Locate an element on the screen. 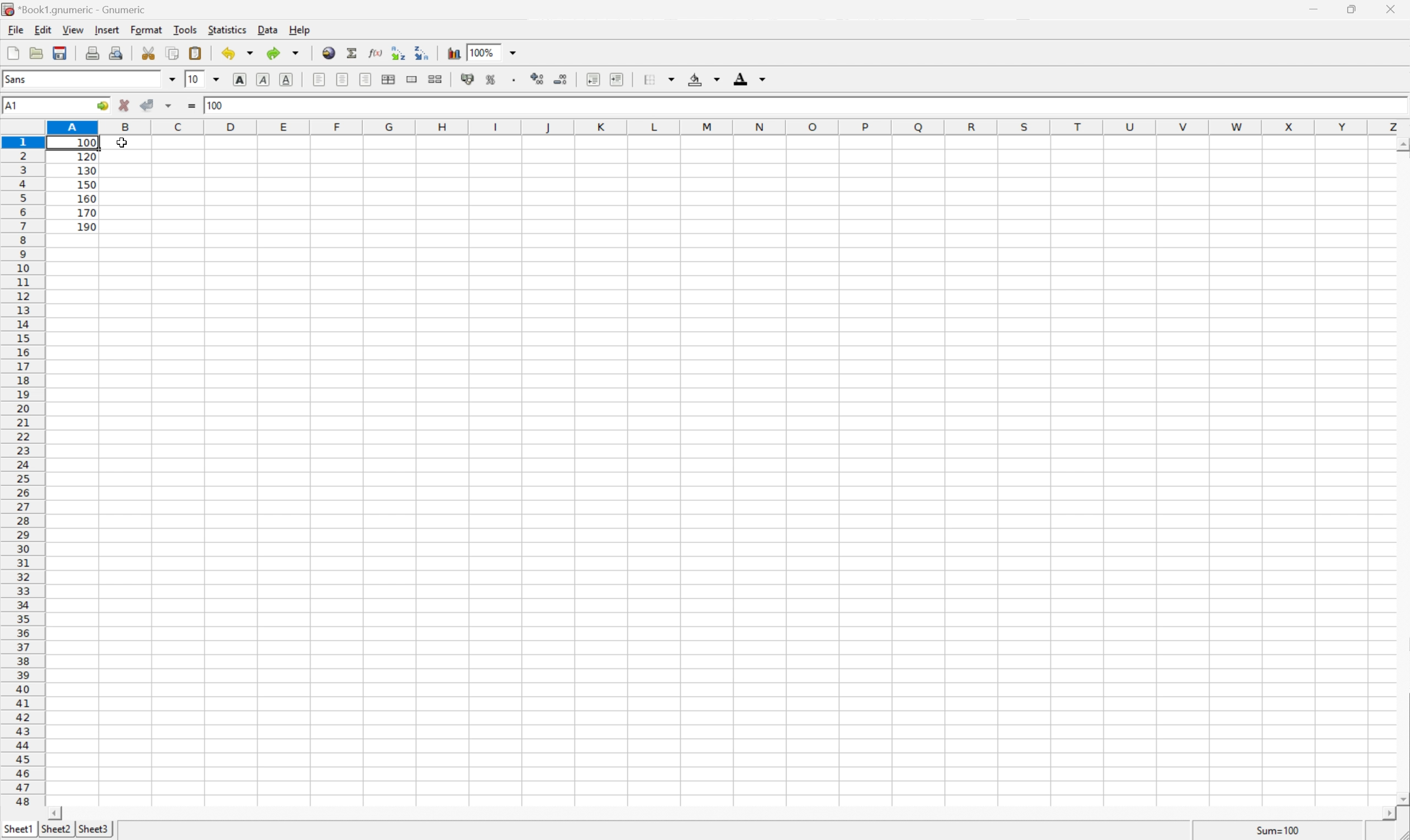  Data is located at coordinates (267, 28).